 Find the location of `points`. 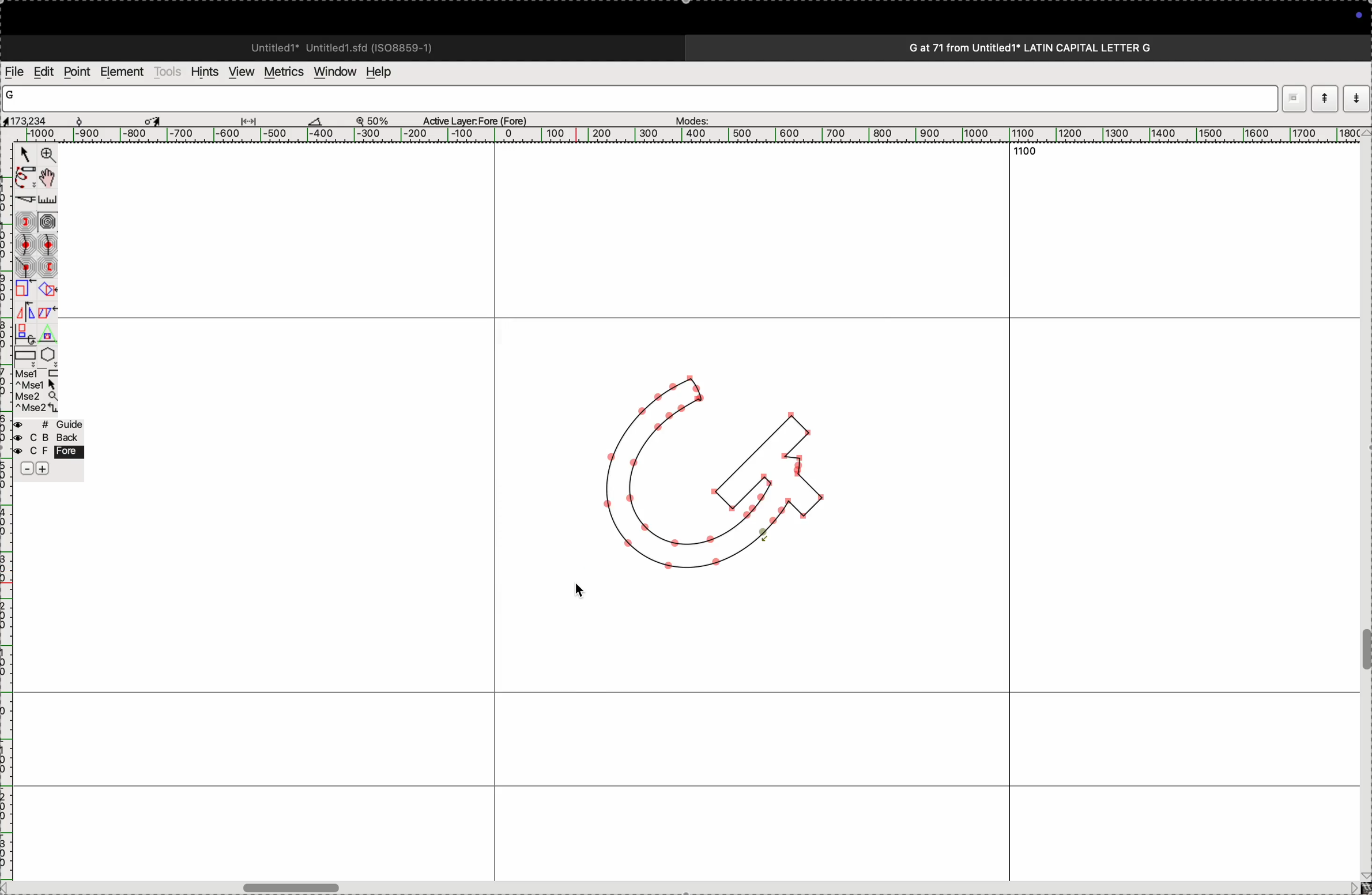

points is located at coordinates (77, 73).